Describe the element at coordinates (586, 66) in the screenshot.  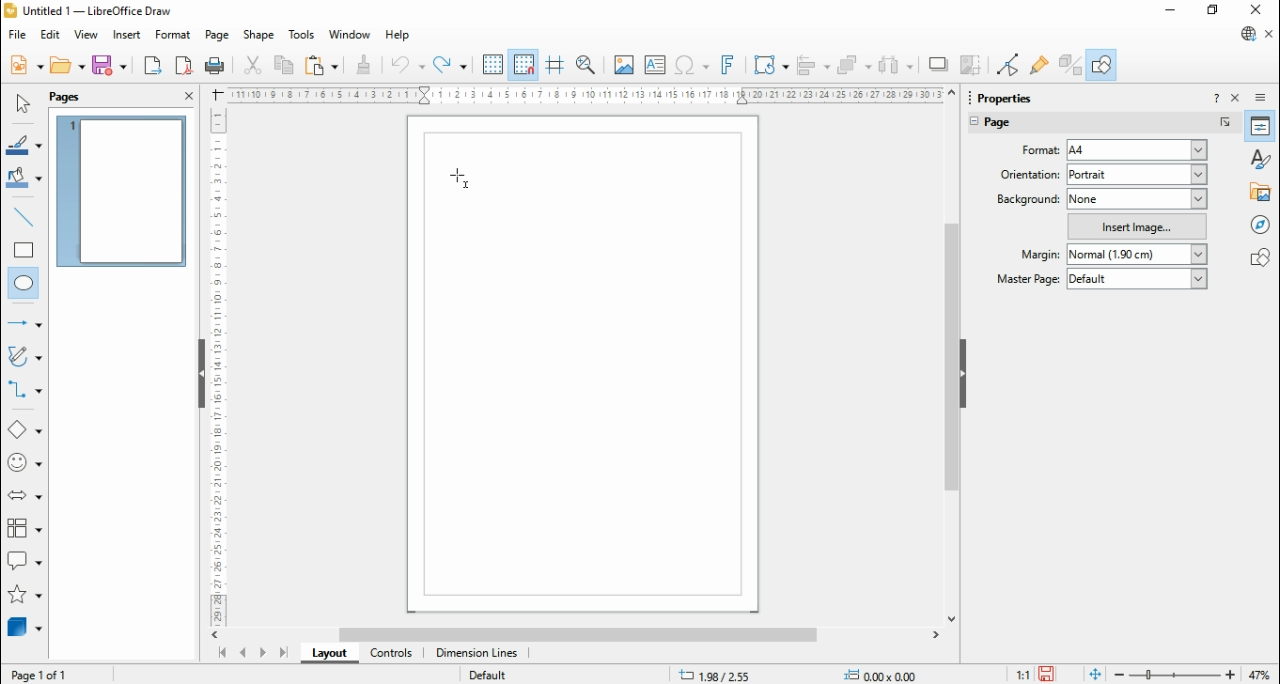
I see `zoom and pan` at that location.